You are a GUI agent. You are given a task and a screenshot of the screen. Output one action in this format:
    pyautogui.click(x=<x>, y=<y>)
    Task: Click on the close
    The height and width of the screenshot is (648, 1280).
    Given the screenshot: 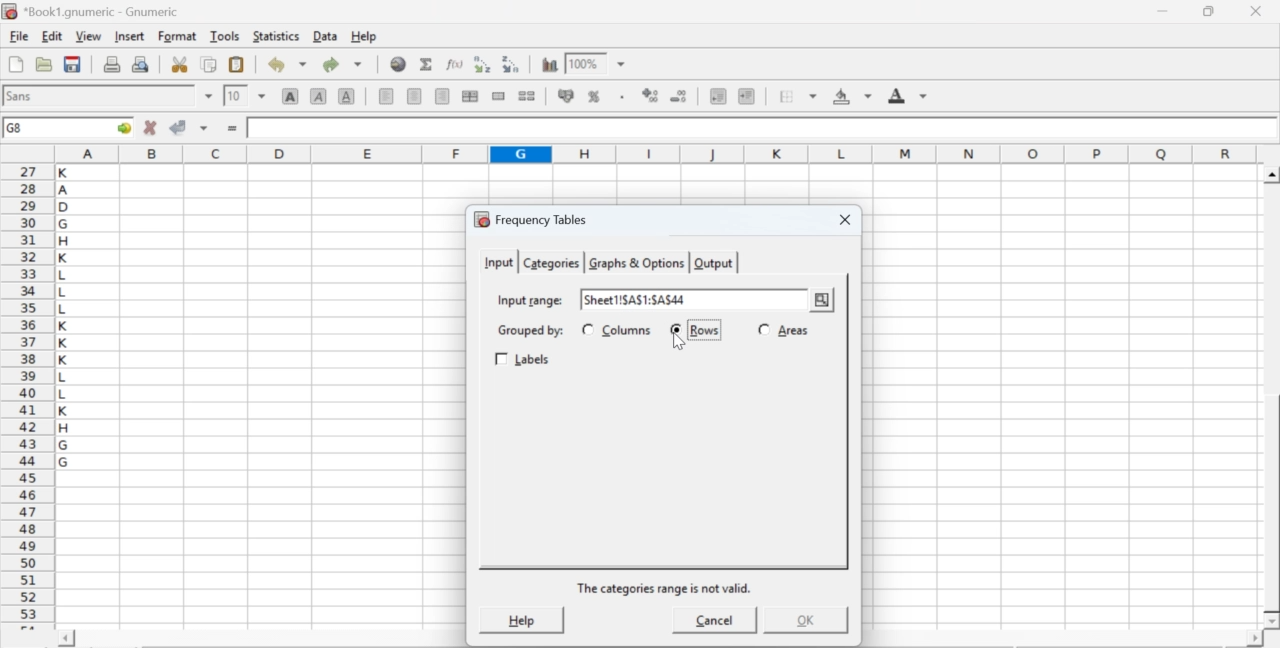 What is the action you would take?
    pyautogui.click(x=842, y=221)
    